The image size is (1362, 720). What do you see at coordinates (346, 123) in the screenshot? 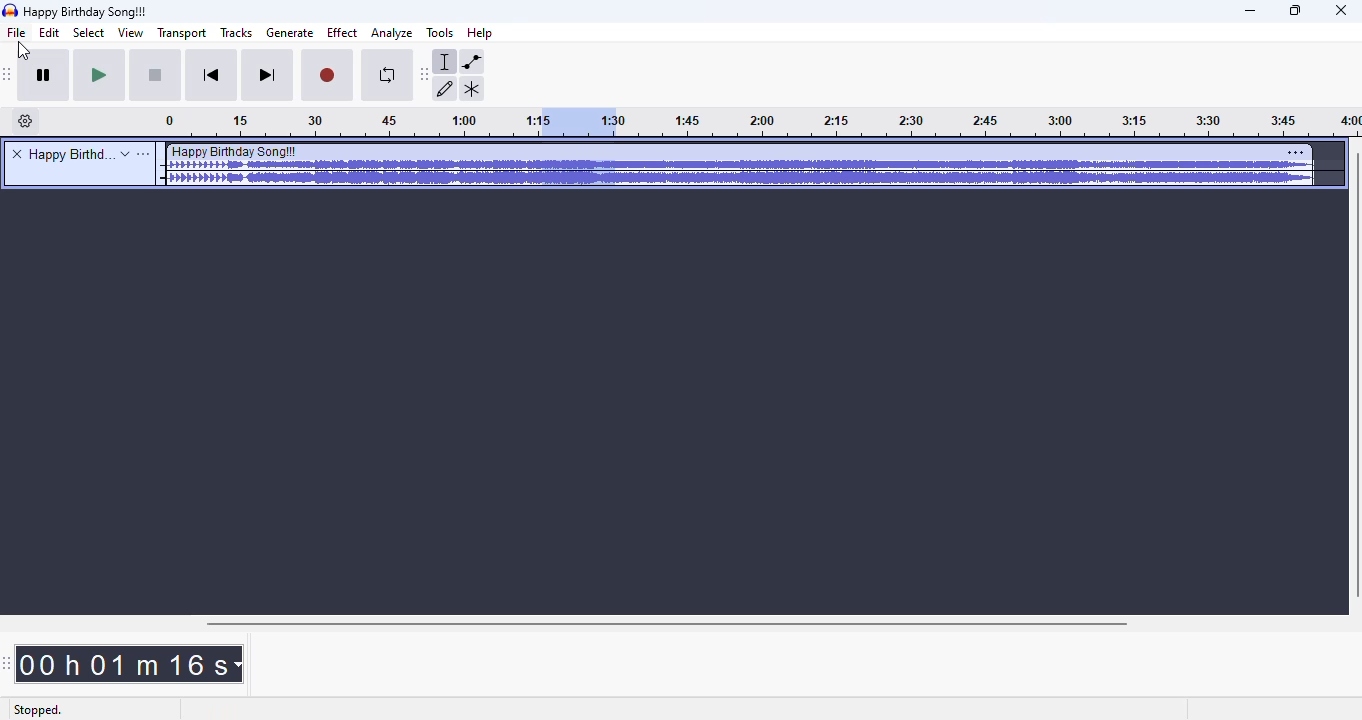
I see `Timeline` at bounding box center [346, 123].